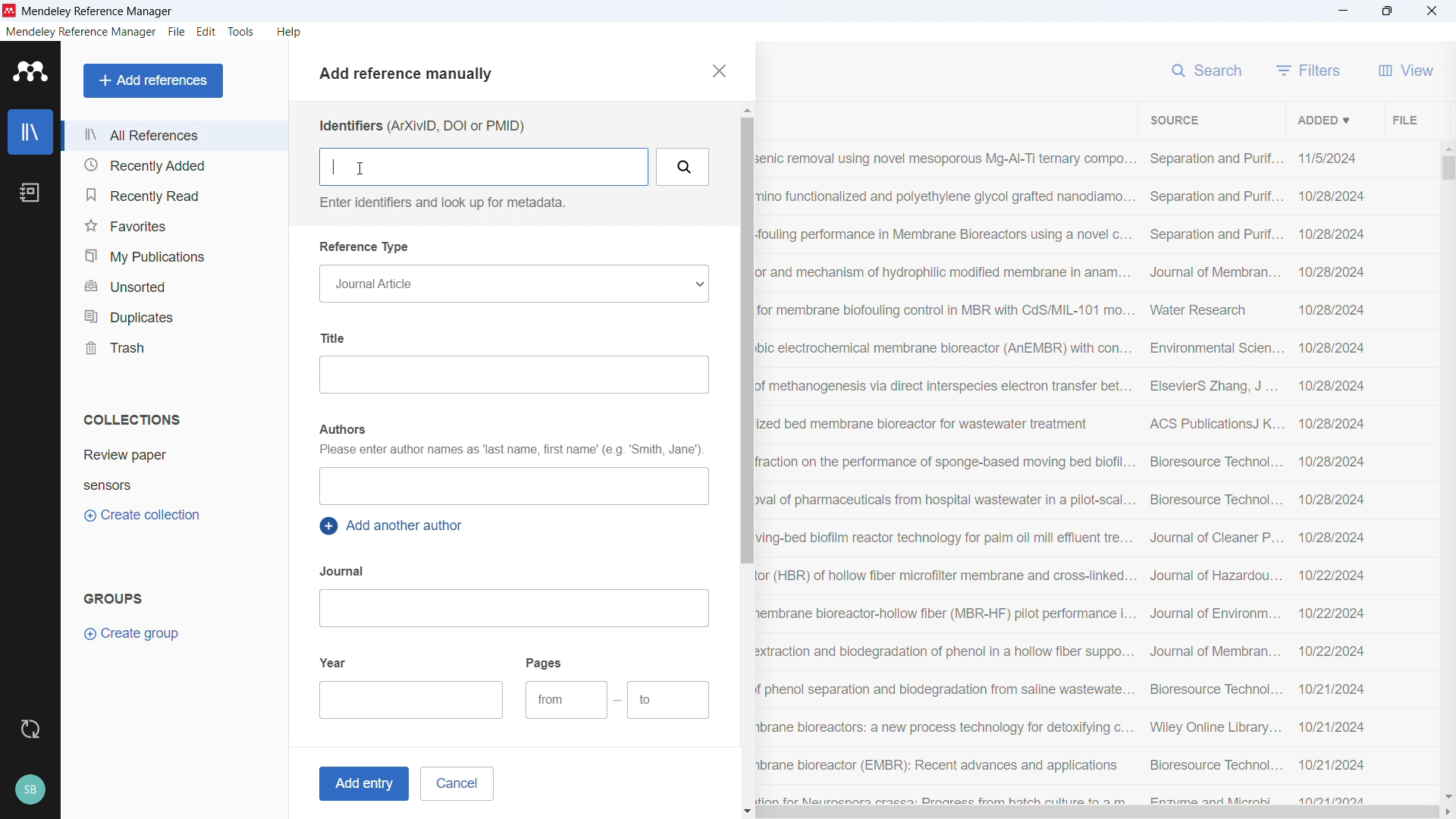 This screenshot has width=1456, height=819. What do you see at coordinates (1309, 70) in the screenshot?
I see `filters` at bounding box center [1309, 70].